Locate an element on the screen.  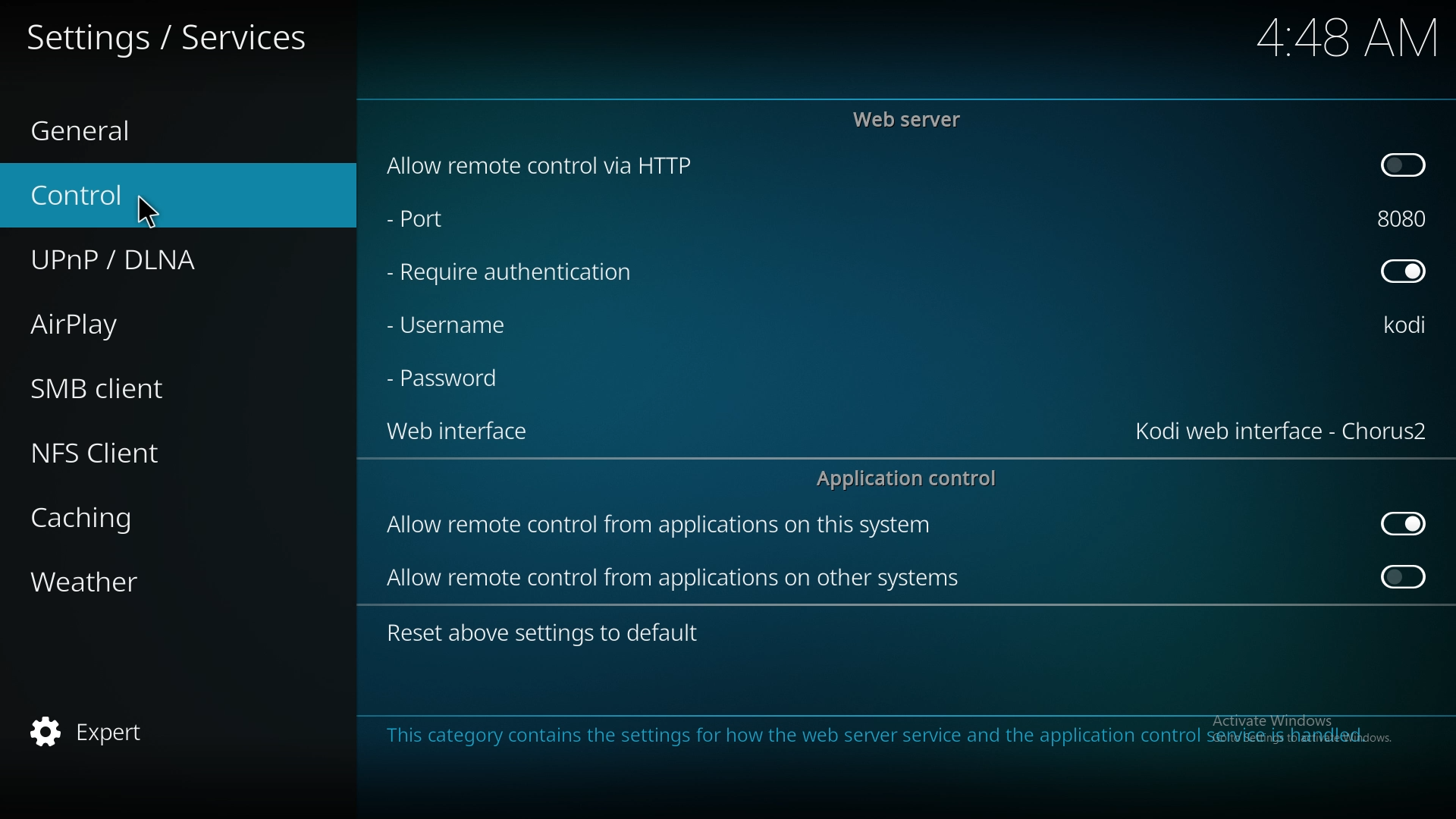
caching is located at coordinates (121, 519).